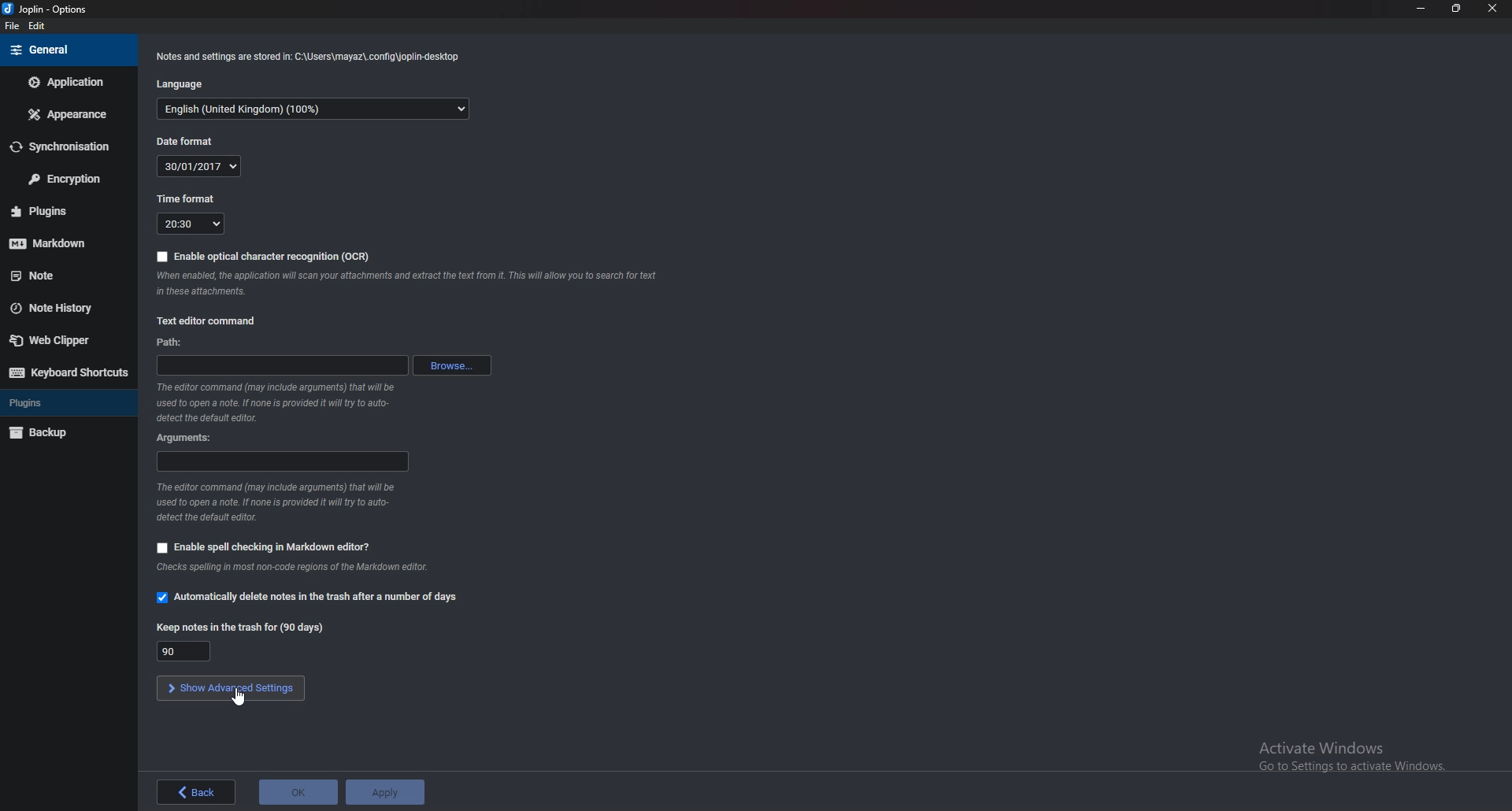 Image resolution: width=1512 pixels, height=811 pixels. What do you see at coordinates (67, 50) in the screenshot?
I see `General` at bounding box center [67, 50].